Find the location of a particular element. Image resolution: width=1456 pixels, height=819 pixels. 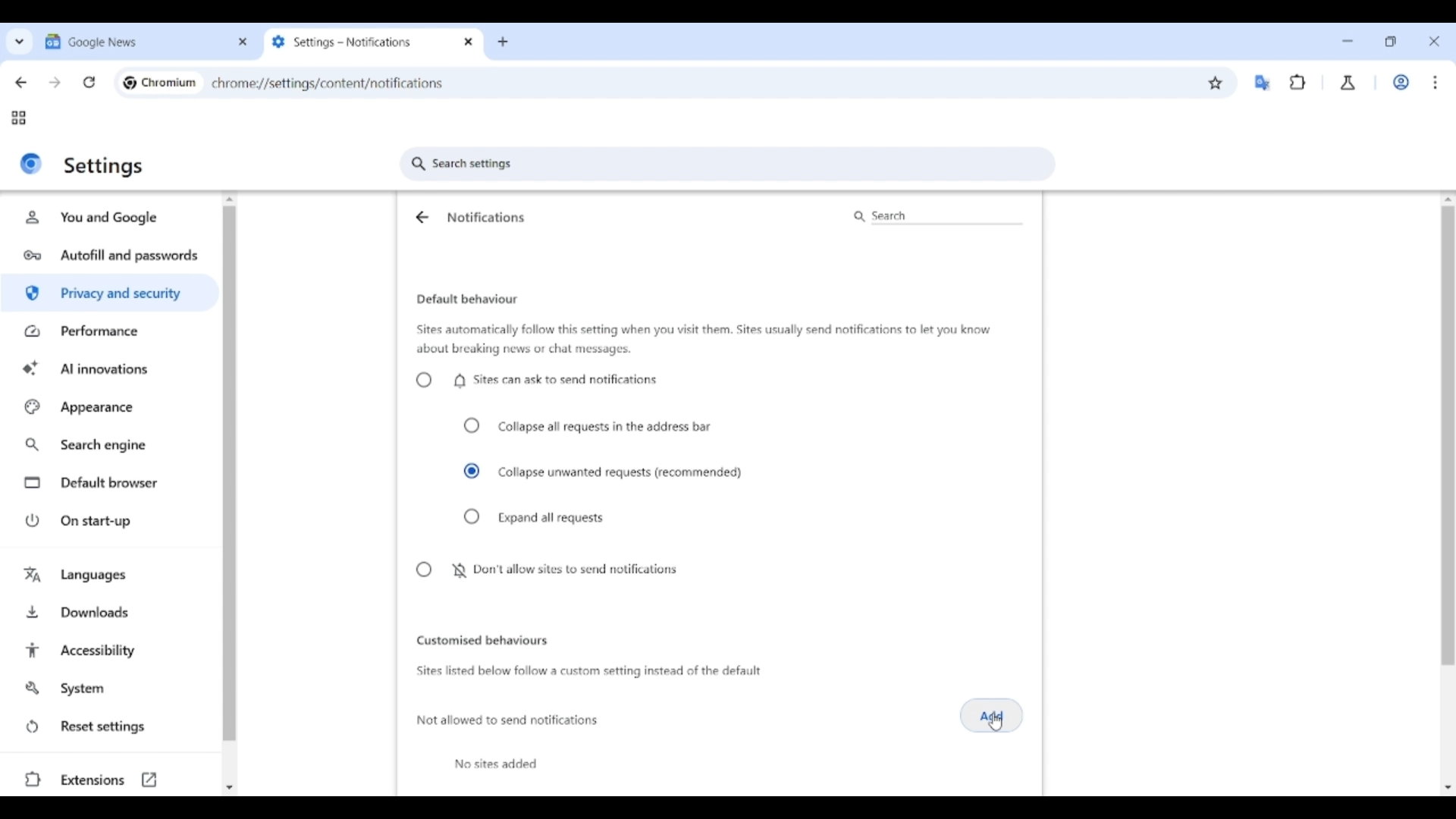

Cursor clicking on Add is located at coordinates (996, 723).